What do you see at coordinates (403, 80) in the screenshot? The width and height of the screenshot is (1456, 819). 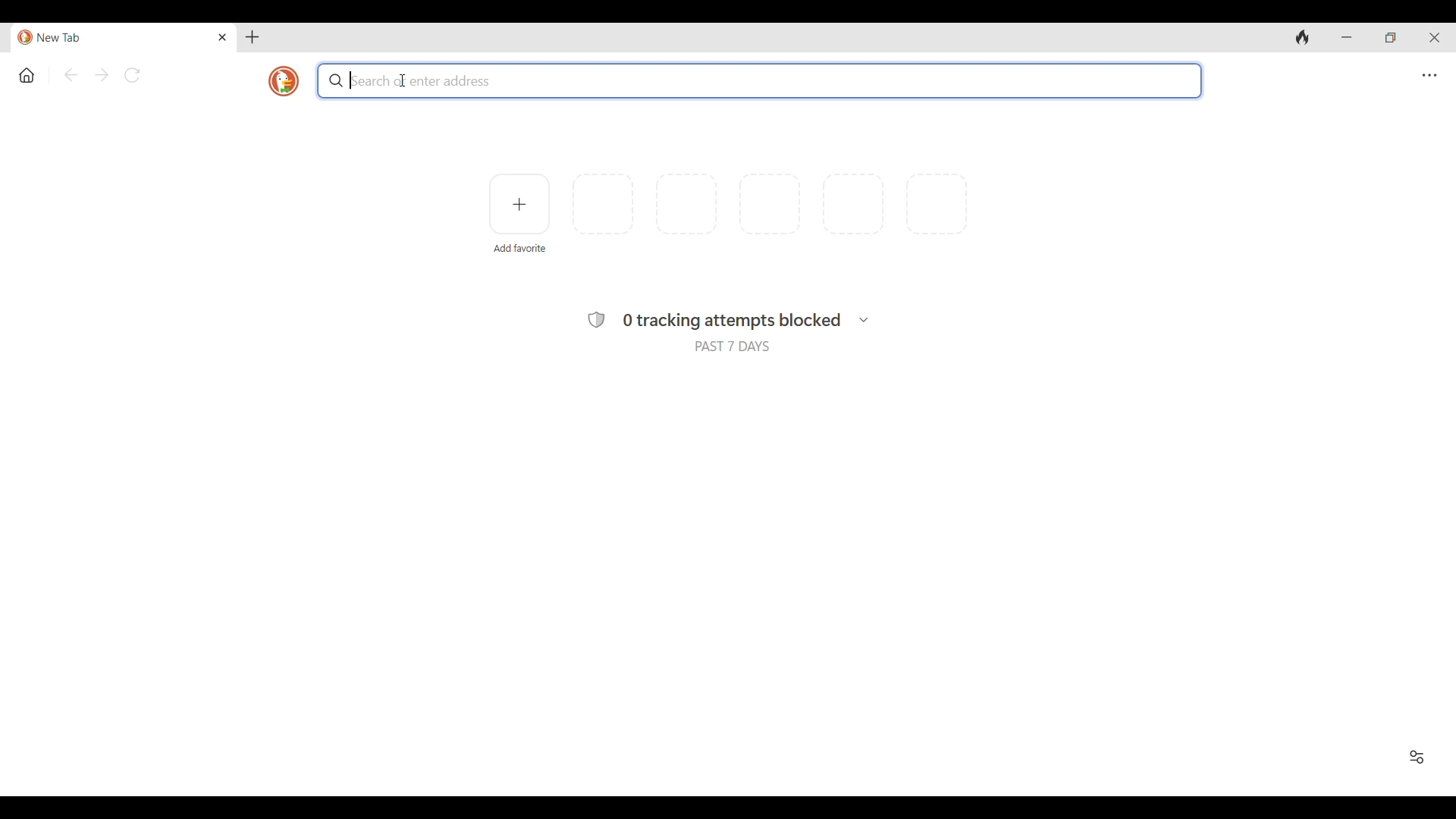 I see `Cursor position unchanged` at bounding box center [403, 80].